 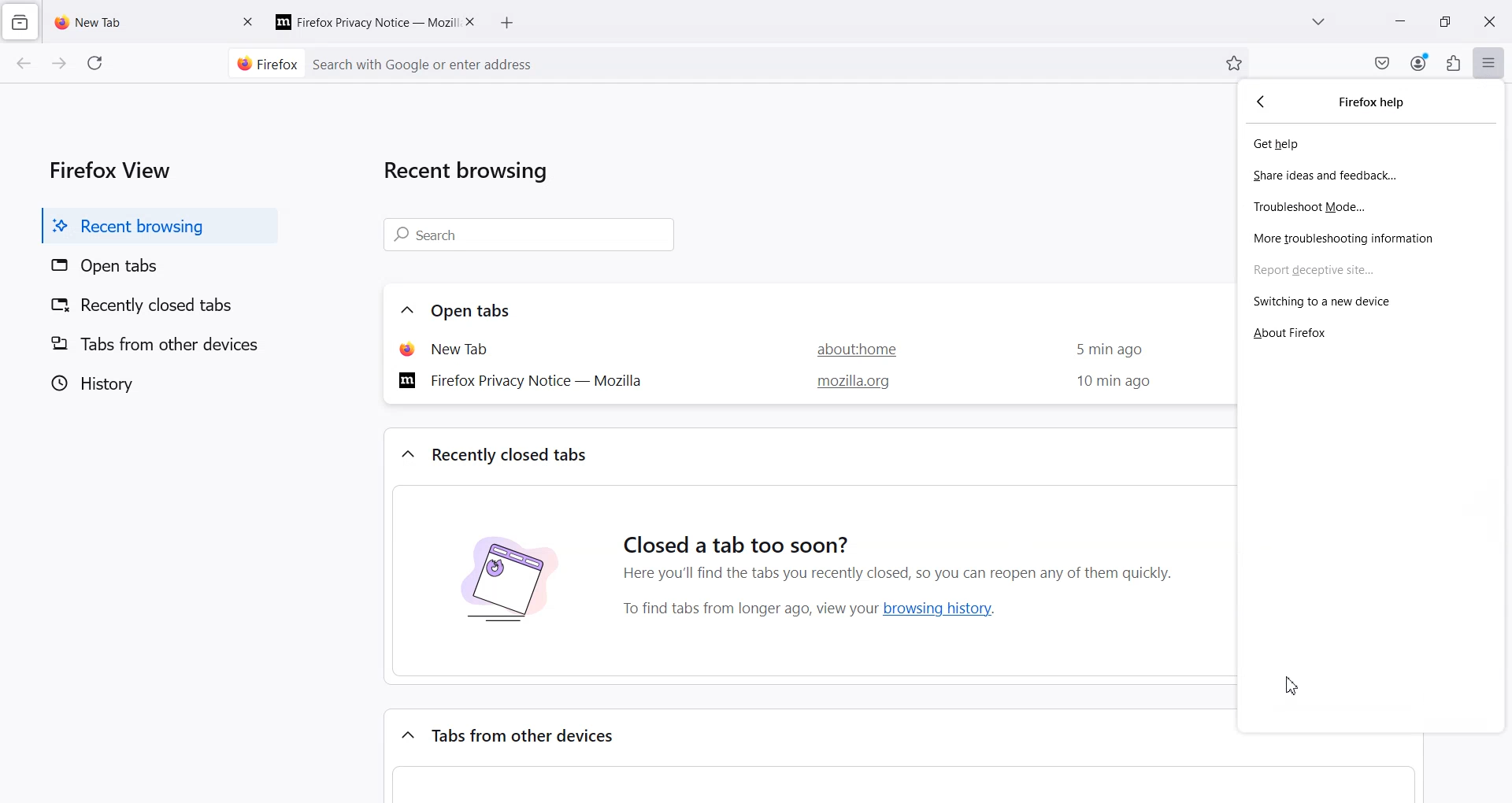 I want to click on To find tabs from longer ago, view your, so click(x=746, y=609).